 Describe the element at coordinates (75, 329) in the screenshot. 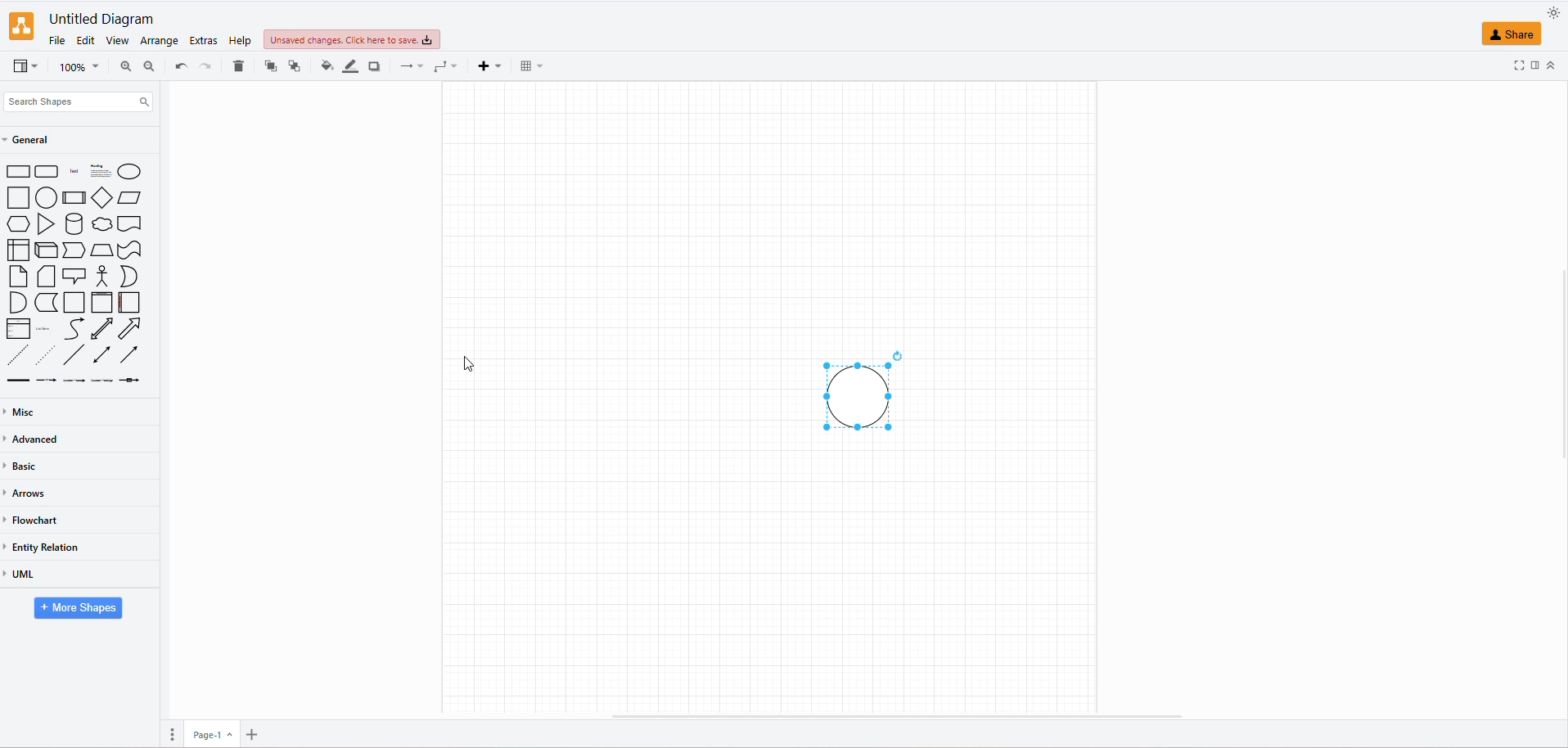

I see `CURVE` at that location.